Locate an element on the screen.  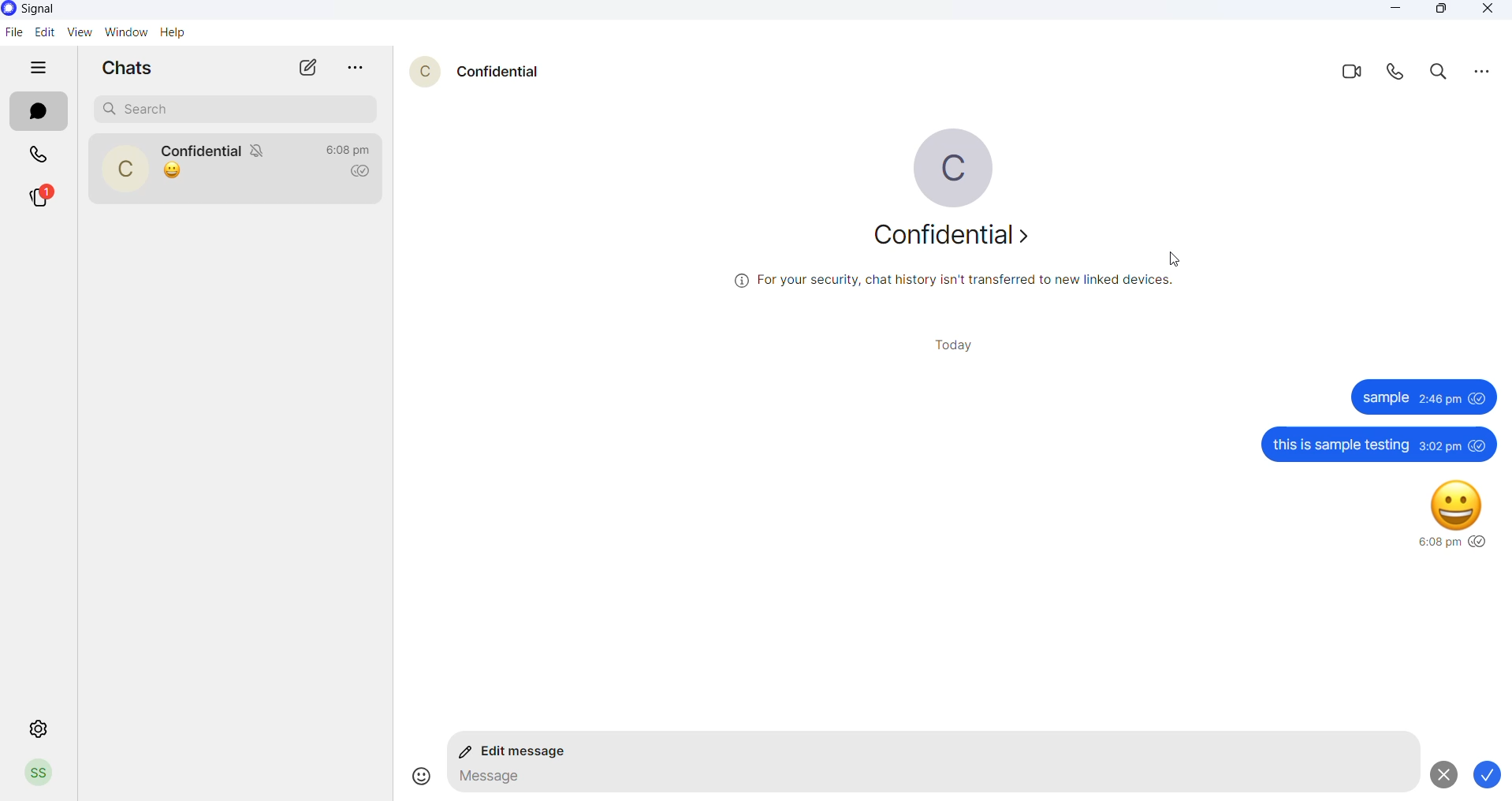
cursor is located at coordinates (1172, 257).